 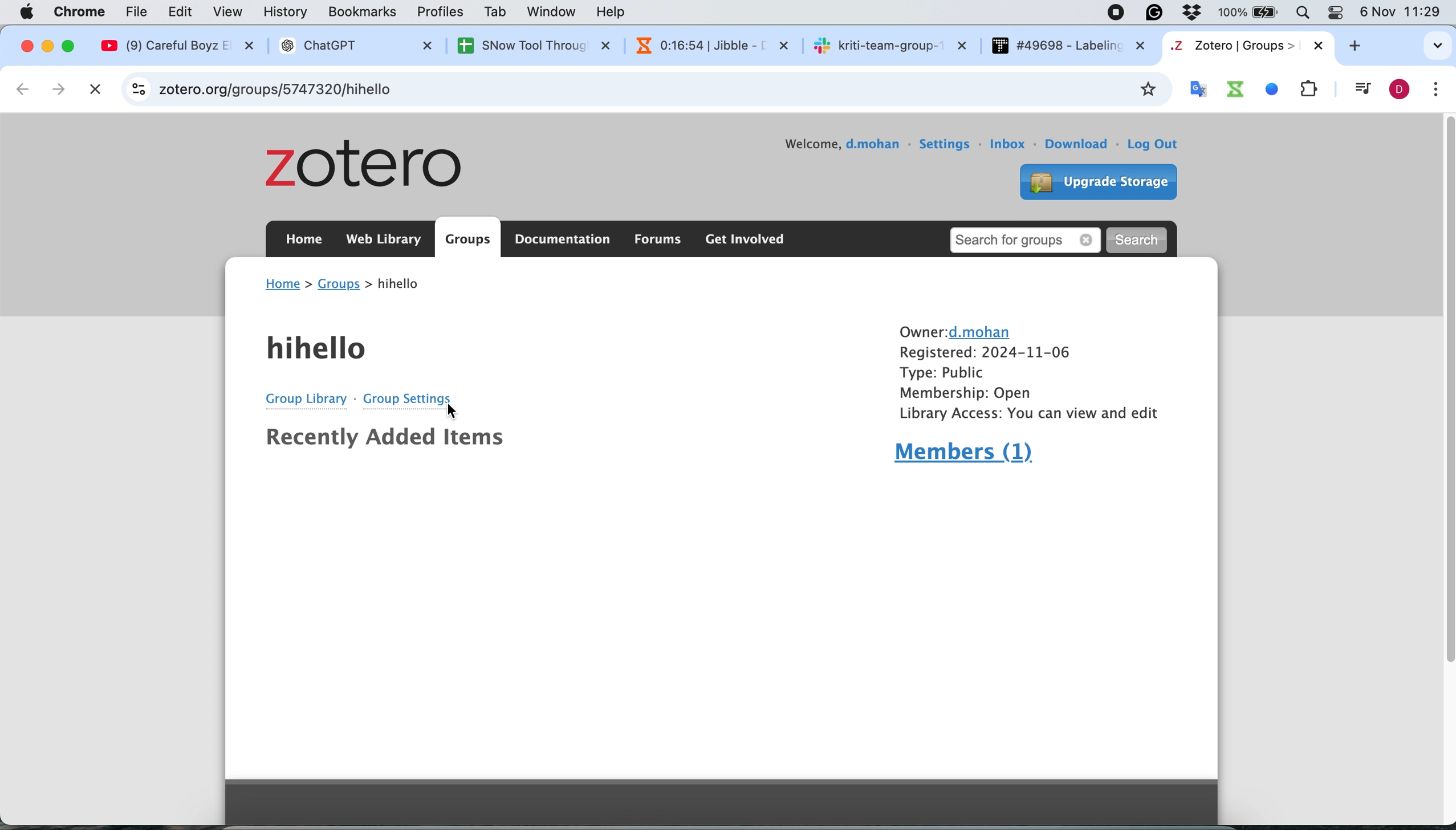 I want to click on chrome, so click(x=82, y=11).